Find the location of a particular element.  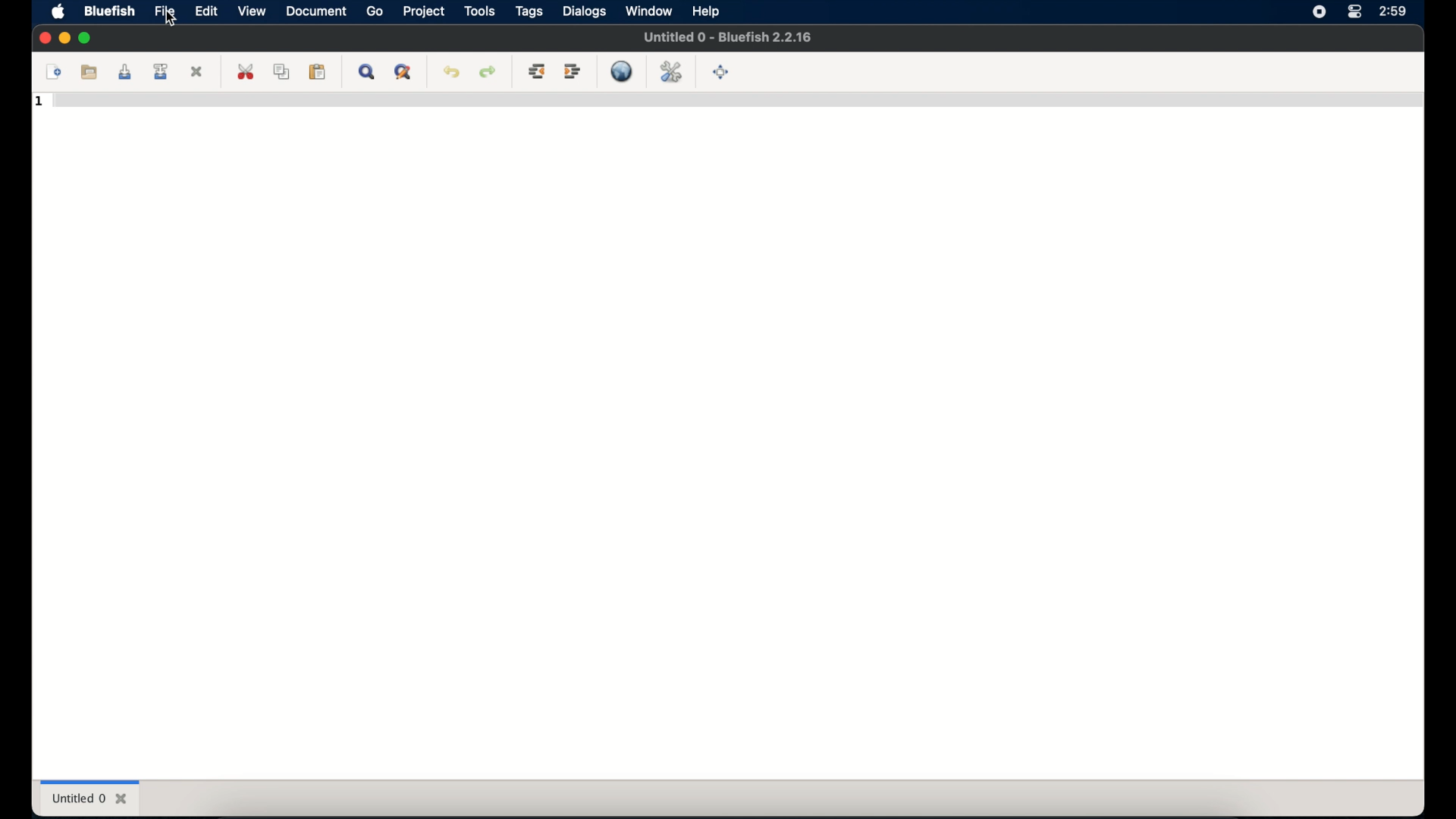

cursor is located at coordinates (169, 19).